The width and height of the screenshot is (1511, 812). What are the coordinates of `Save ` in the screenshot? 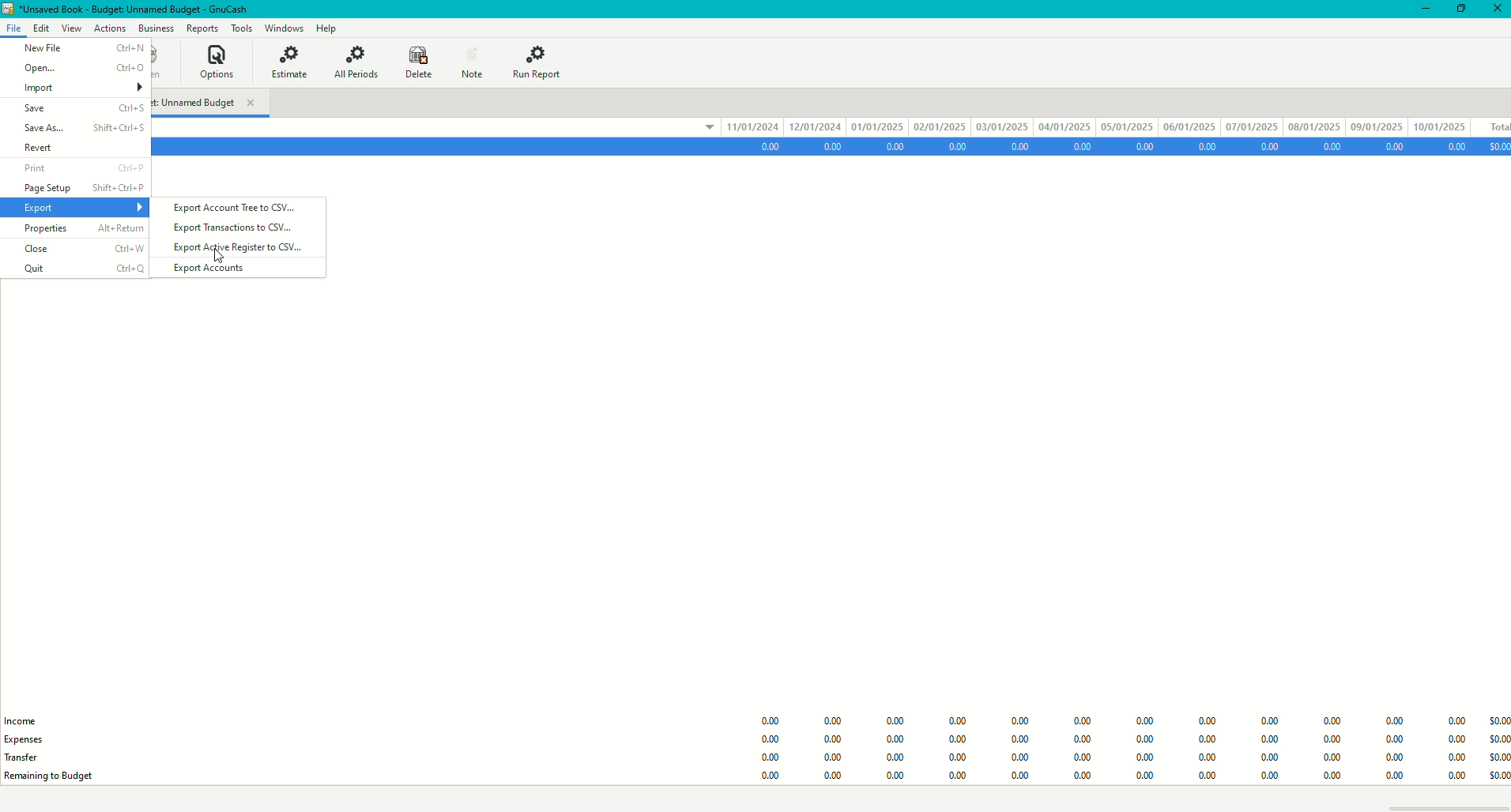 It's located at (81, 109).